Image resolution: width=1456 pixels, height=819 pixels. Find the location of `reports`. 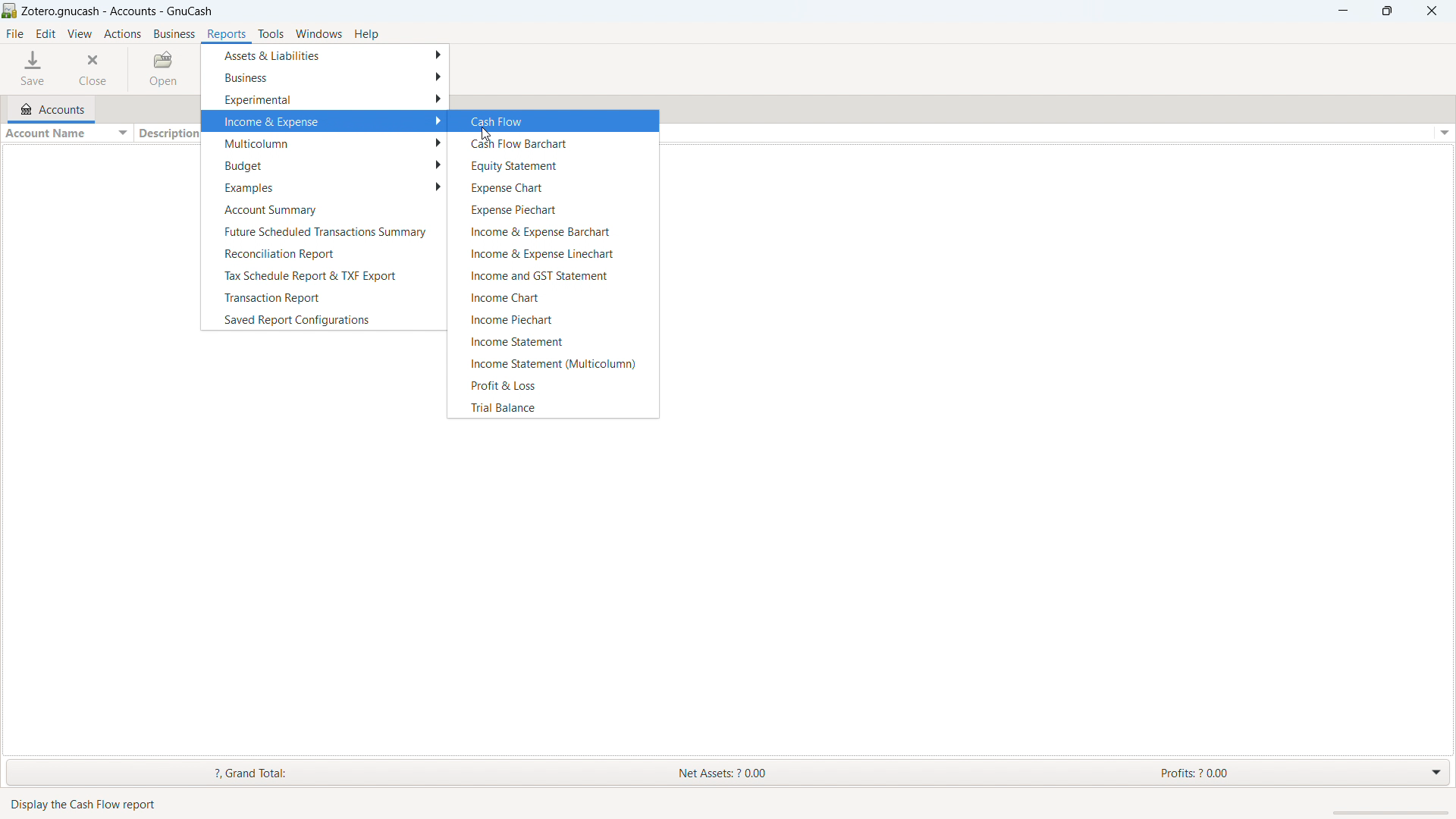

reports is located at coordinates (227, 34).